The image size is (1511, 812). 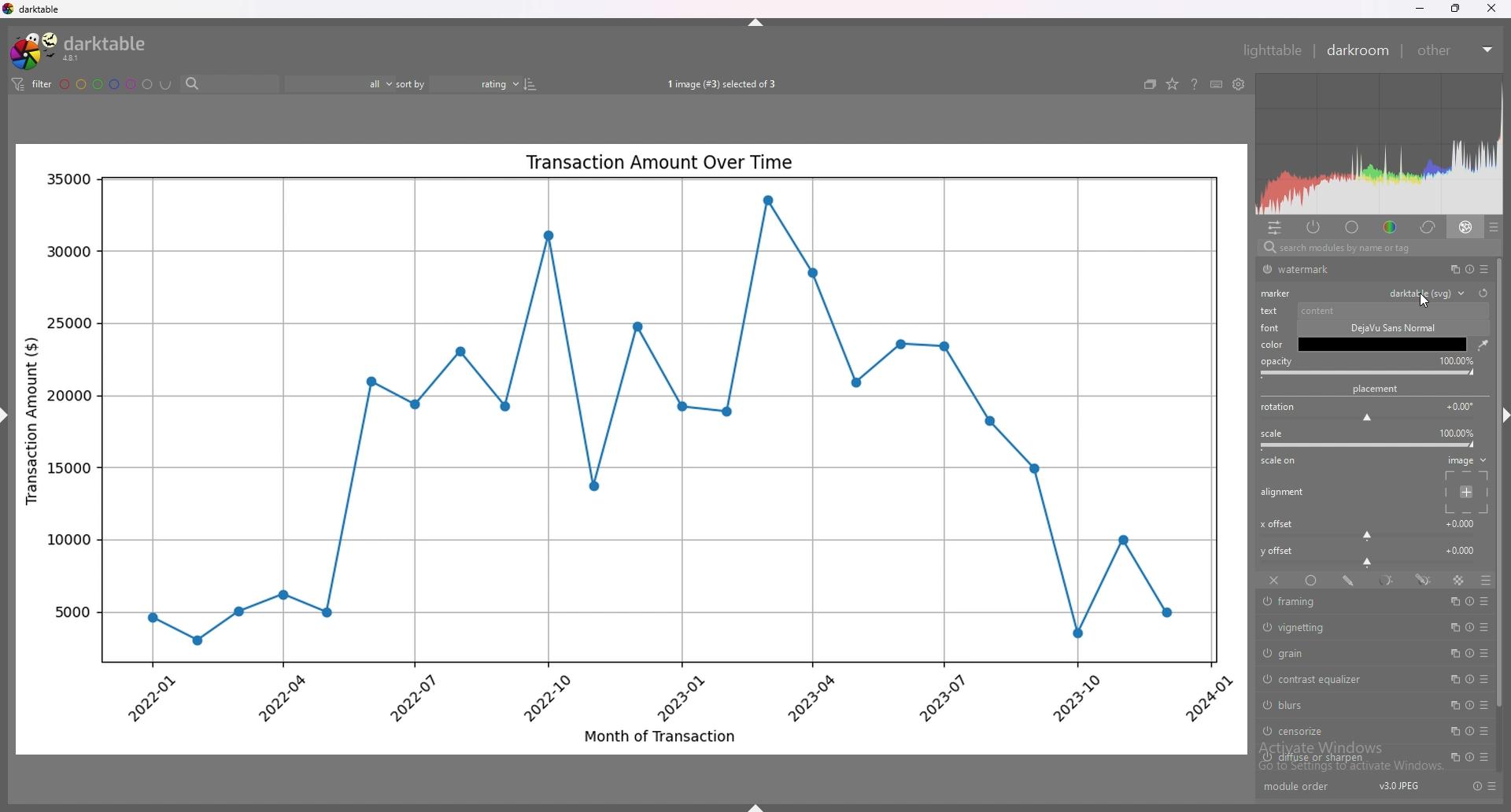 What do you see at coordinates (1454, 8) in the screenshot?
I see `resize` at bounding box center [1454, 8].